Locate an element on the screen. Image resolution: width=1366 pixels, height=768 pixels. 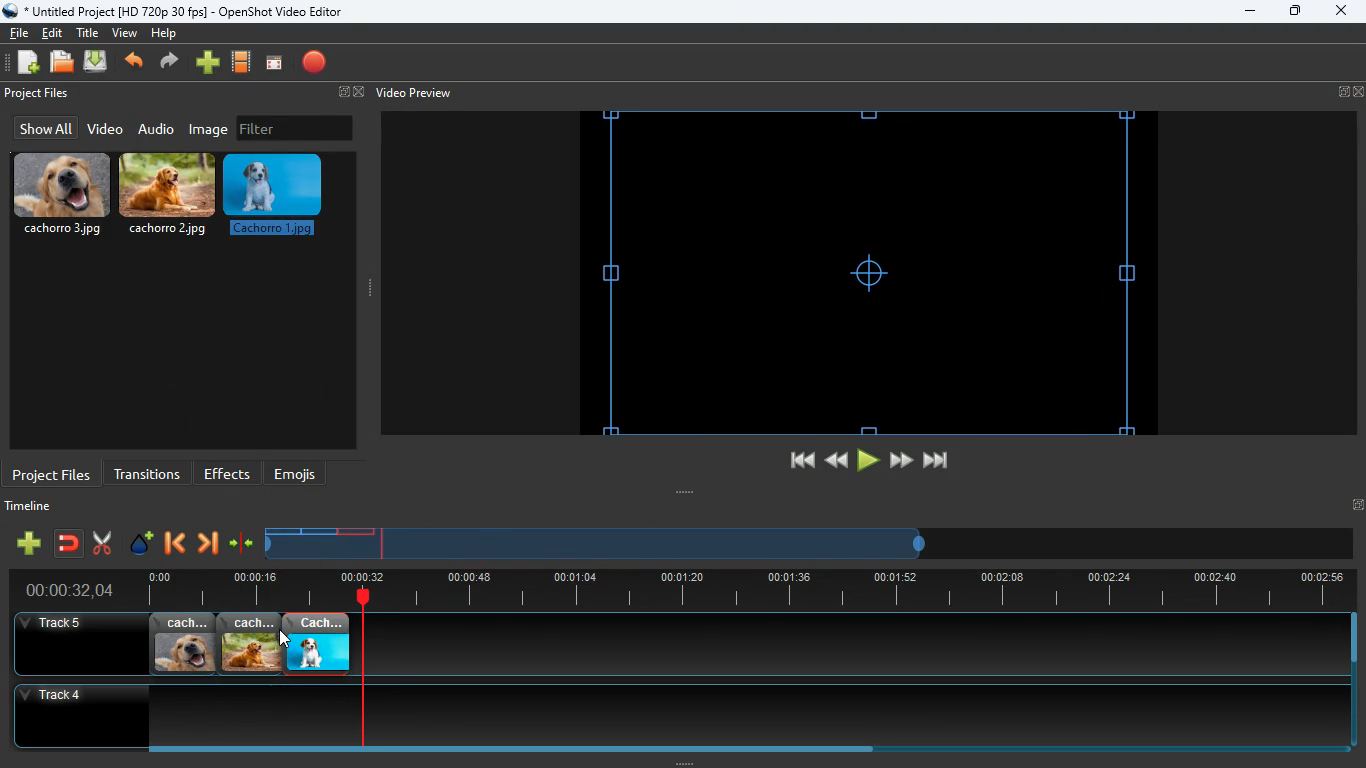
video is located at coordinates (104, 130).